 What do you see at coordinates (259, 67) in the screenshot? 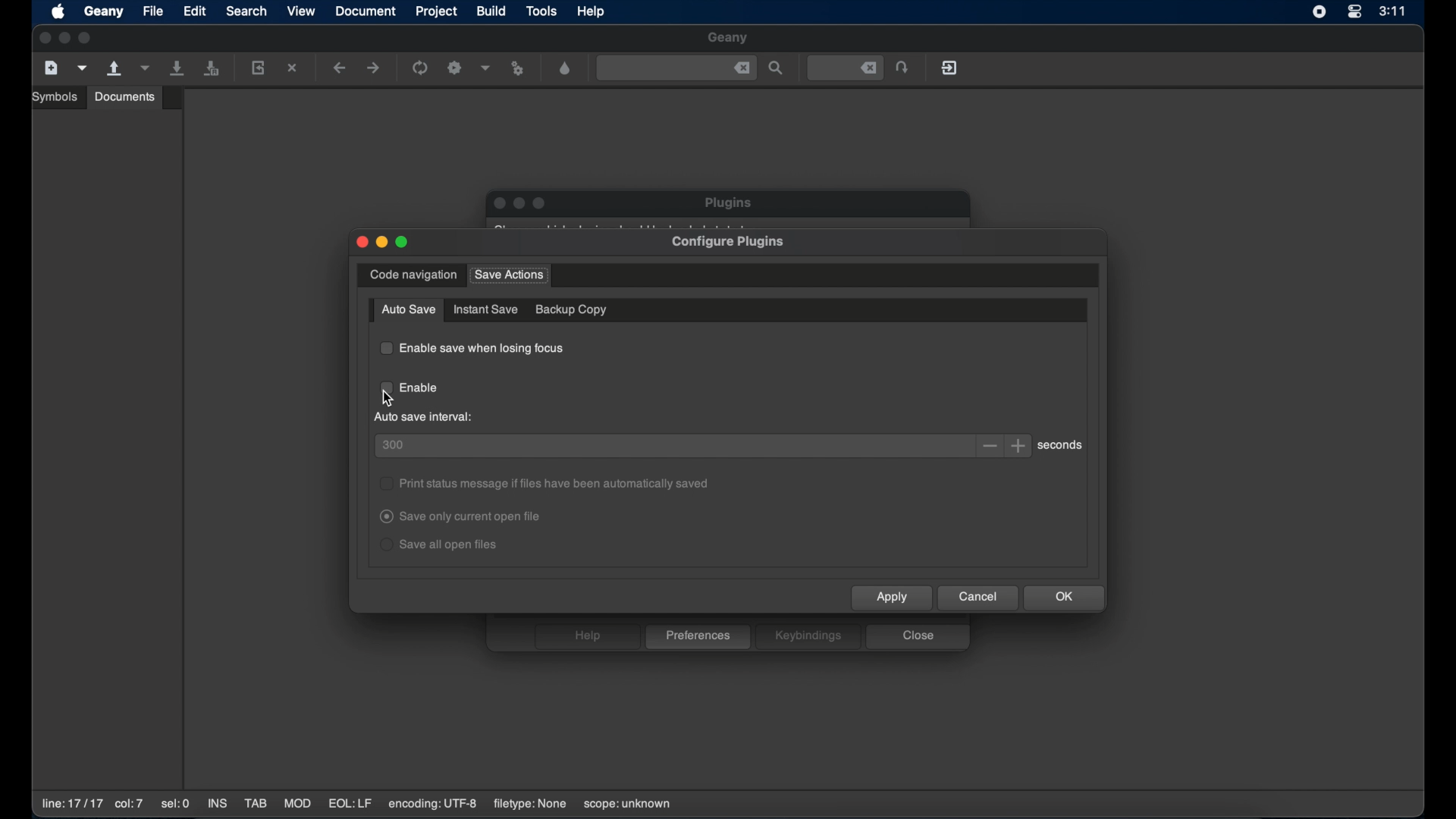
I see `reload the current file` at bounding box center [259, 67].